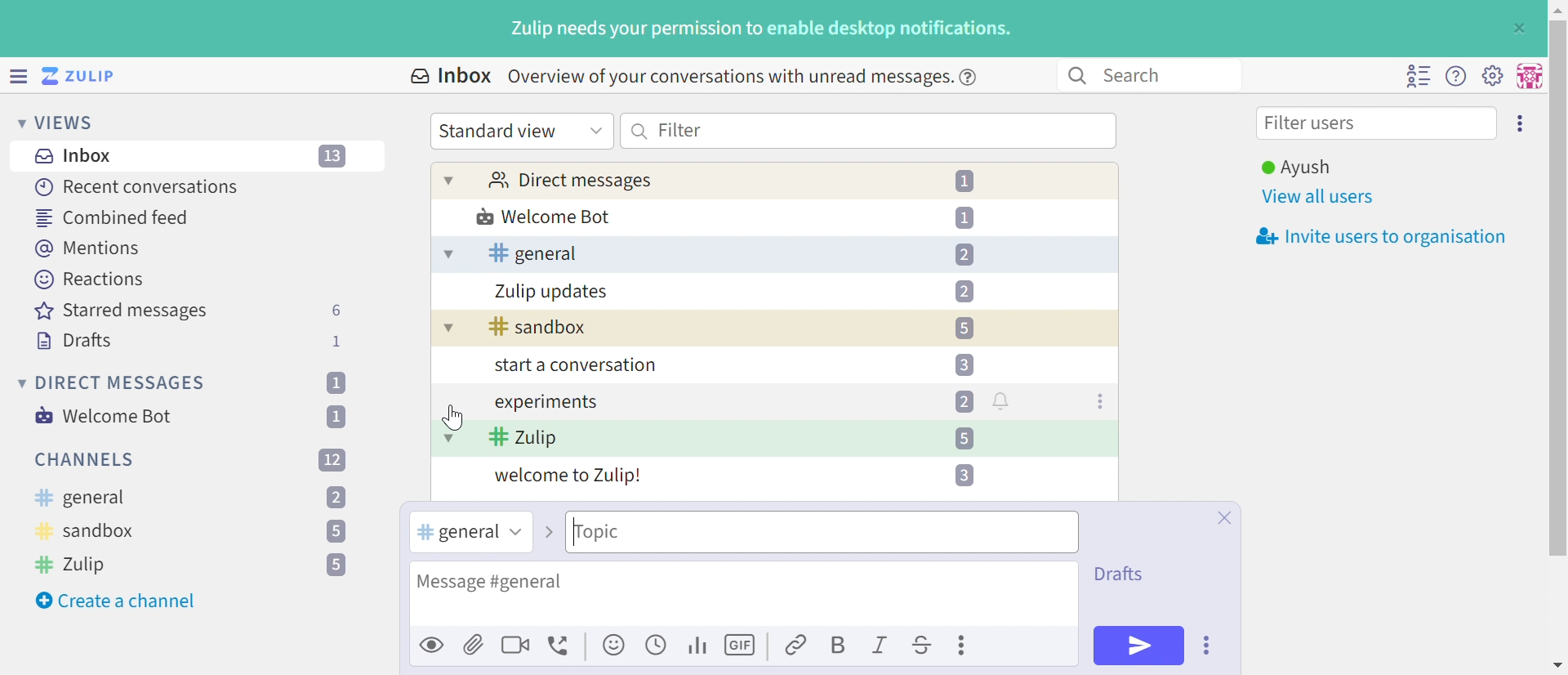 This screenshot has height=675, width=1568. What do you see at coordinates (923, 647) in the screenshot?
I see `Strikethrough` at bounding box center [923, 647].